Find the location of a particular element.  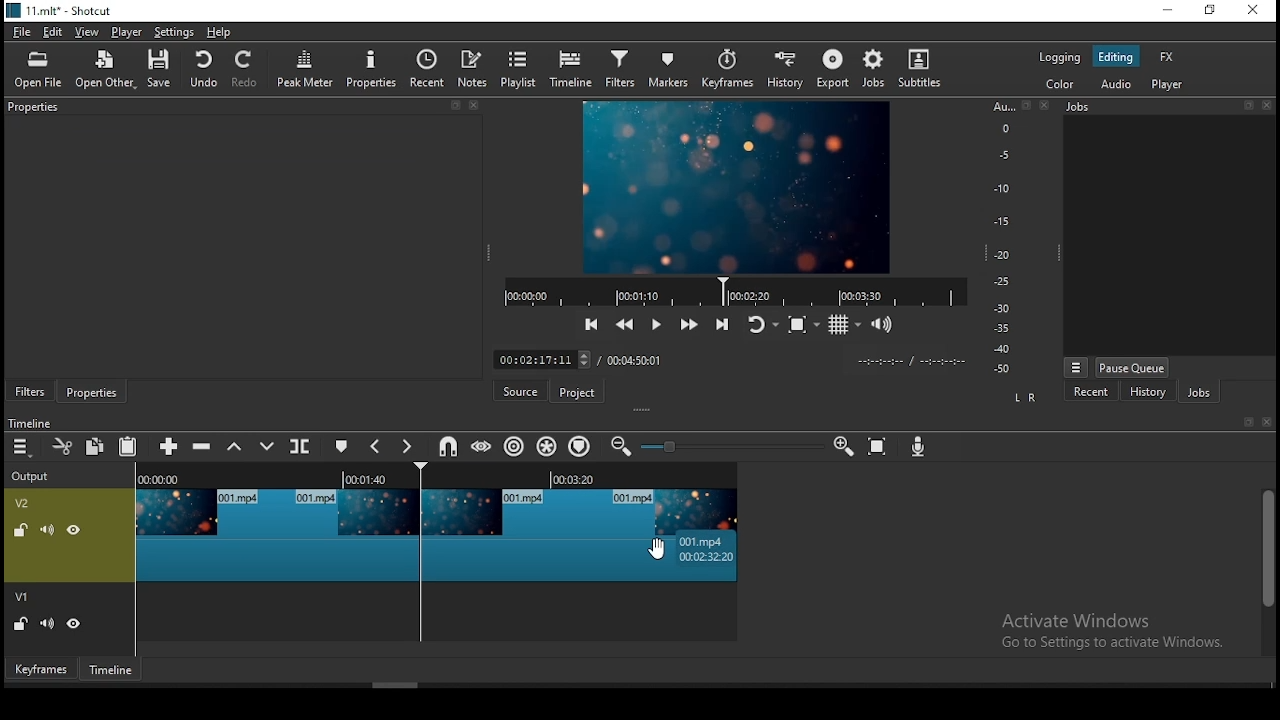

jobs is located at coordinates (1199, 392).